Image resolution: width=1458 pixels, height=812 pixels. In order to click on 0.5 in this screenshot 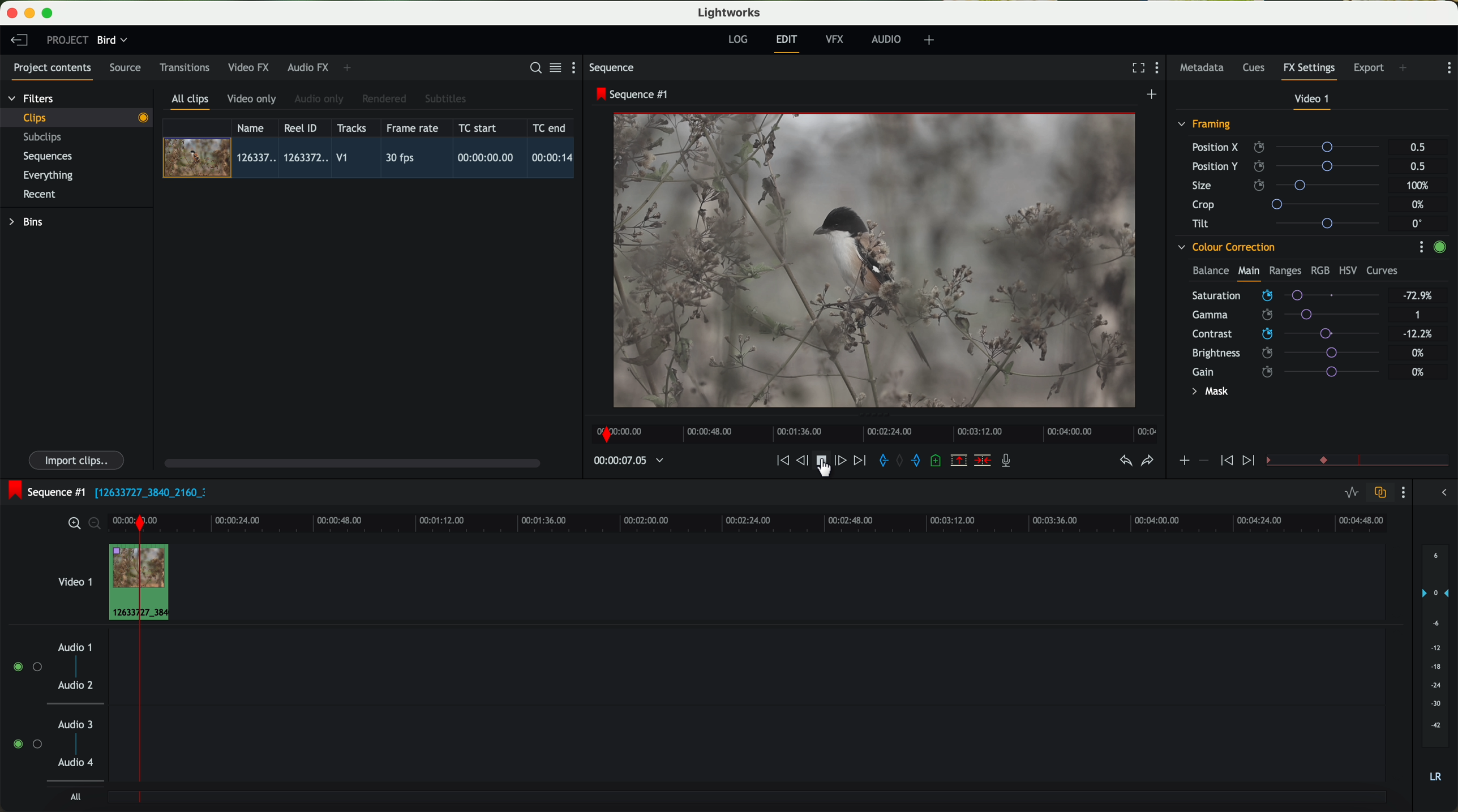, I will do `click(1418, 148)`.